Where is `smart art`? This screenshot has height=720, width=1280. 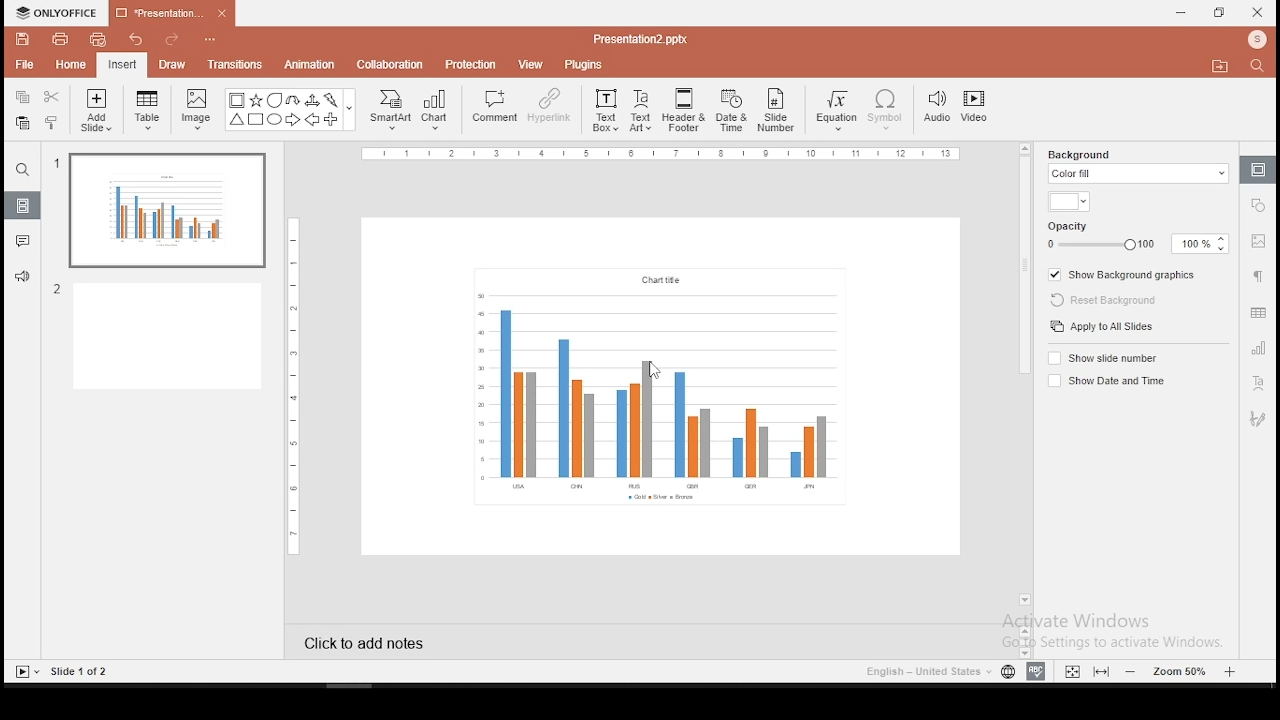
smart art is located at coordinates (392, 110).